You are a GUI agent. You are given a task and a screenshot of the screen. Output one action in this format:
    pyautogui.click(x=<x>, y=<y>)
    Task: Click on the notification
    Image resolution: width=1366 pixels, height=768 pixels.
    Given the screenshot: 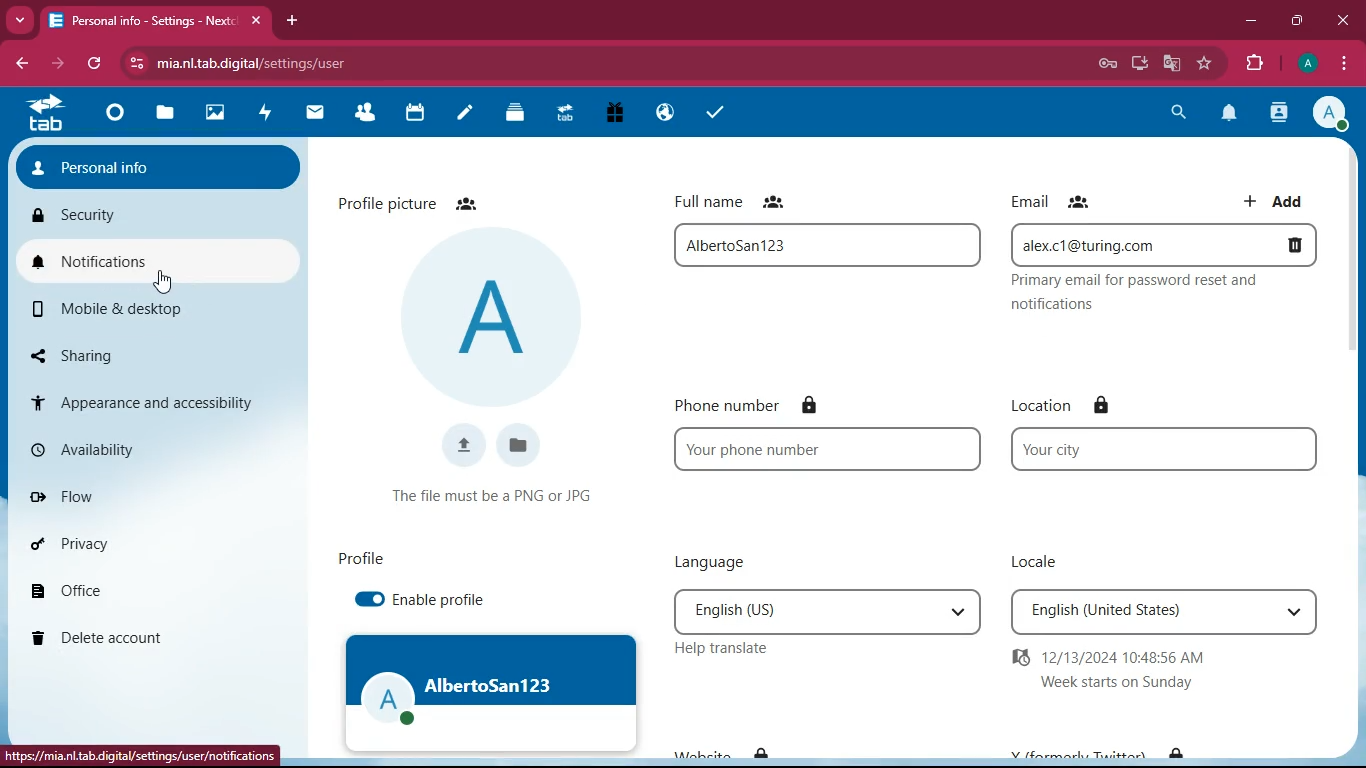 What is the action you would take?
    pyautogui.click(x=1230, y=114)
    